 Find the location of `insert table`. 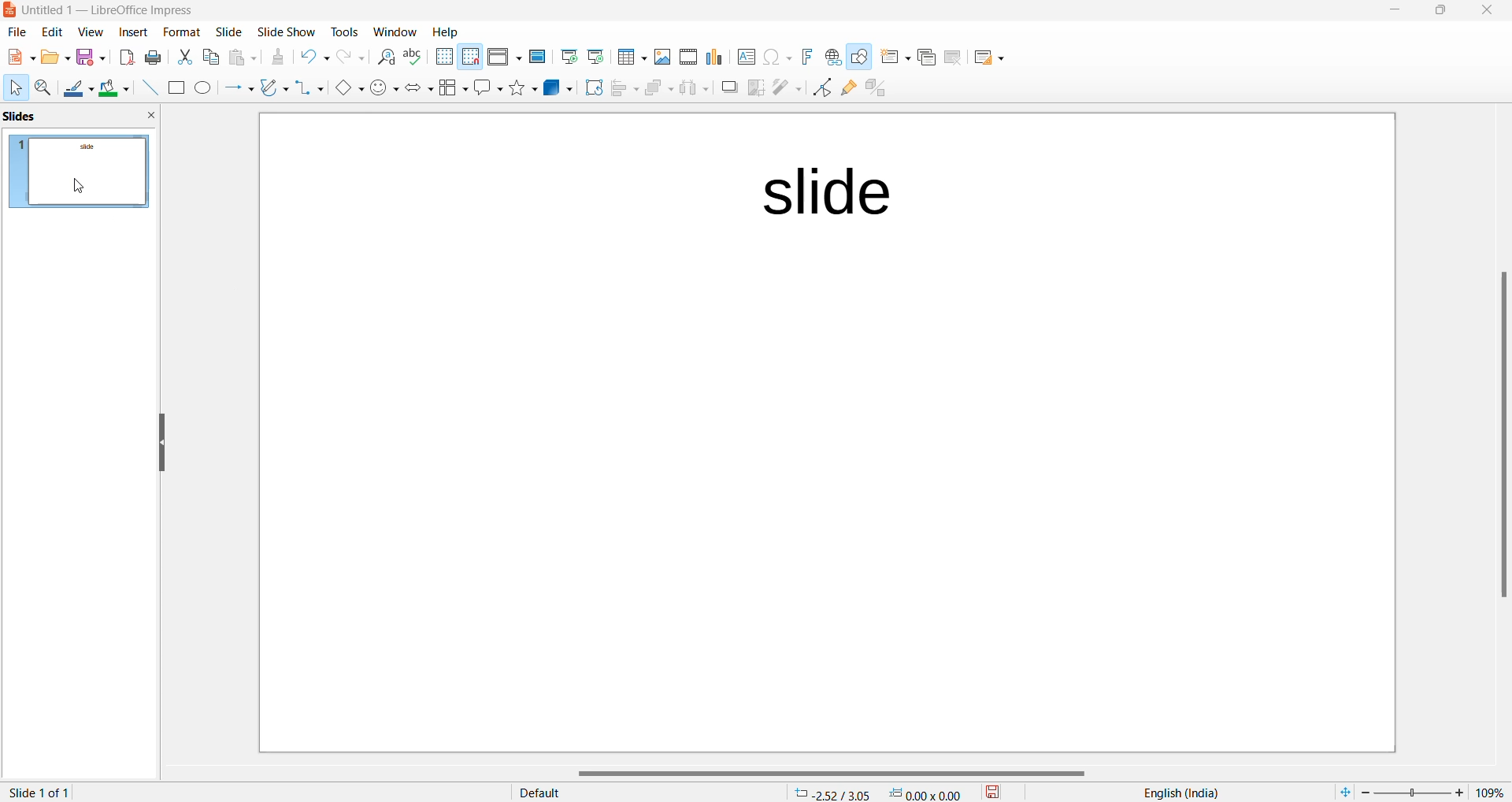

insert table is located at coordinates (631, 57).